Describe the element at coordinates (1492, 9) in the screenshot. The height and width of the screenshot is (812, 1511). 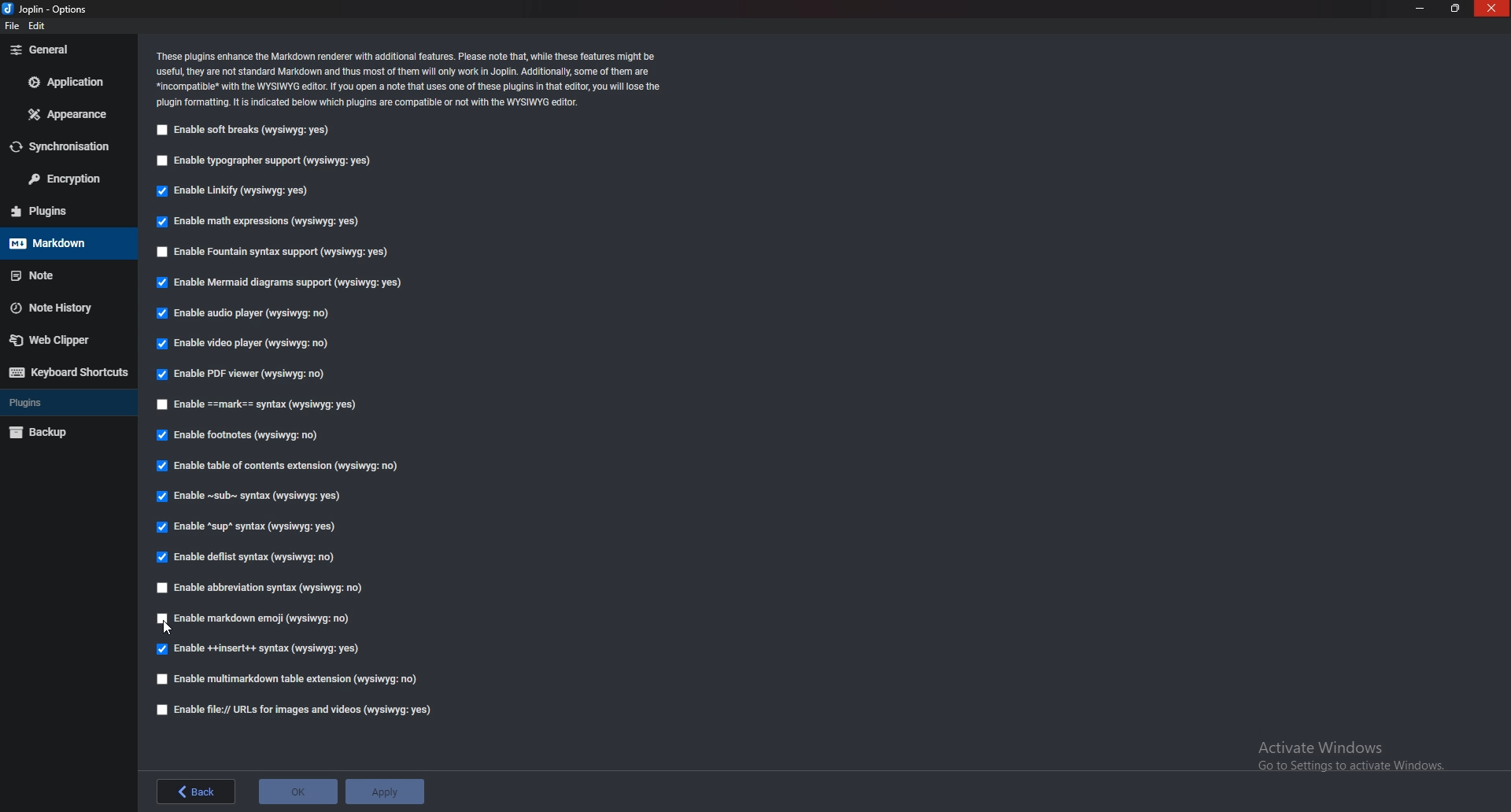
I see `close` at that location.